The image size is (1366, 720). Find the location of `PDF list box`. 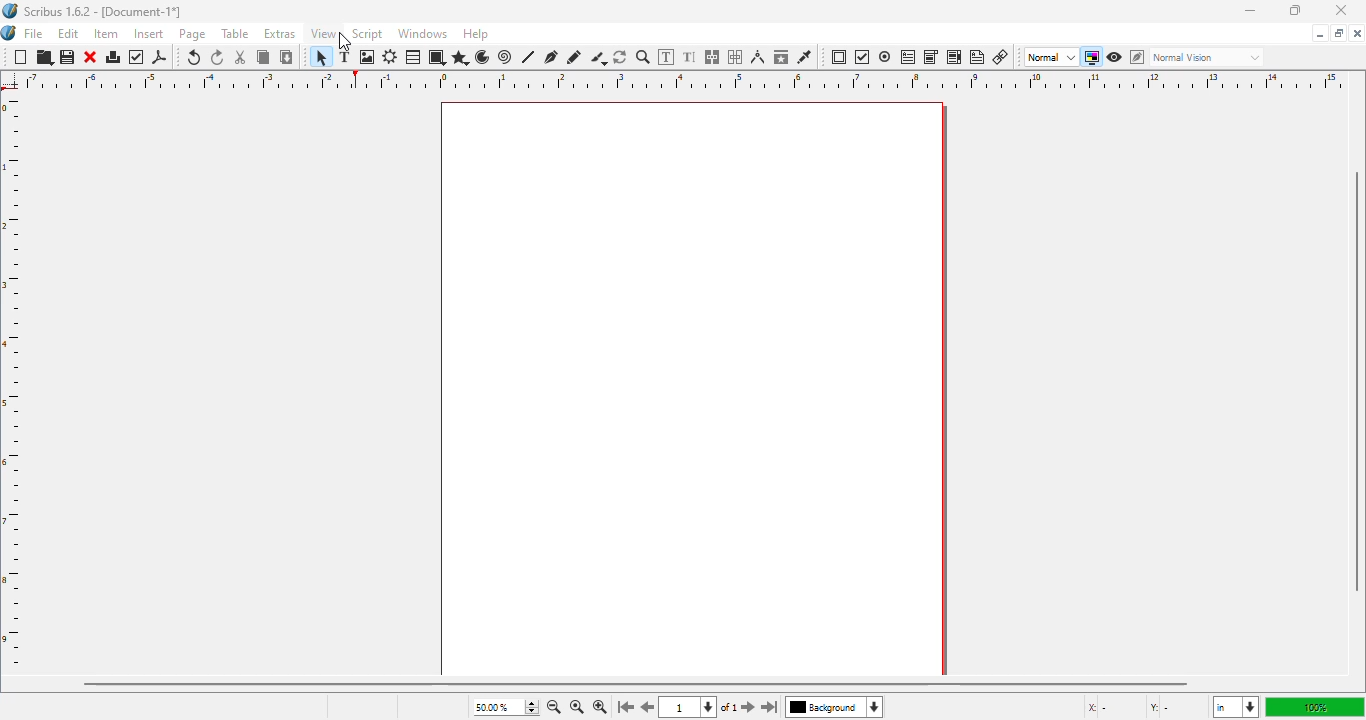

PDF list box is located at coordinates (954, 57).